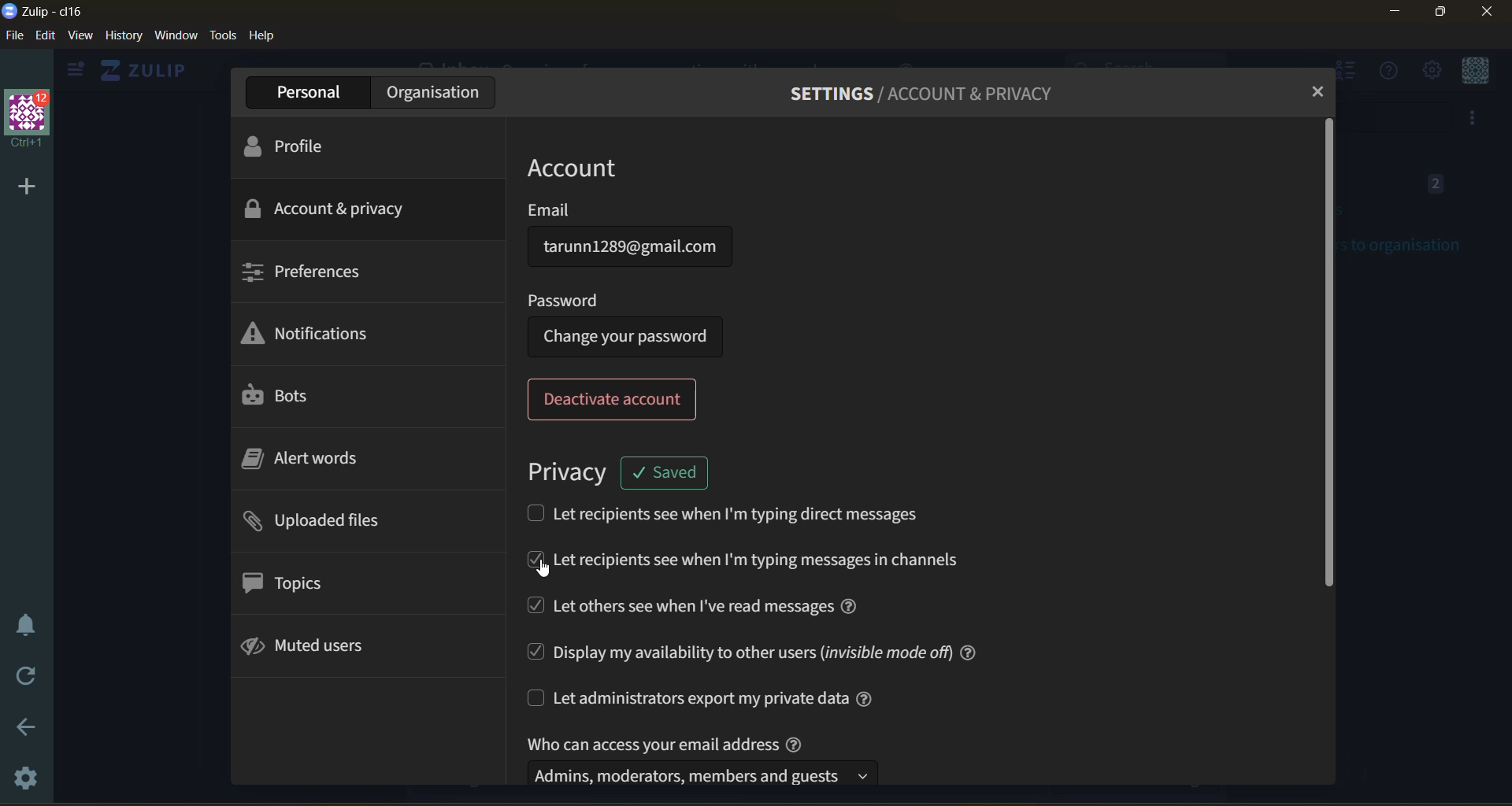 The image size is (1512, 806). Describe the element at coordinates (666, 471) in the screenshot. I see `saved popup` at that location.